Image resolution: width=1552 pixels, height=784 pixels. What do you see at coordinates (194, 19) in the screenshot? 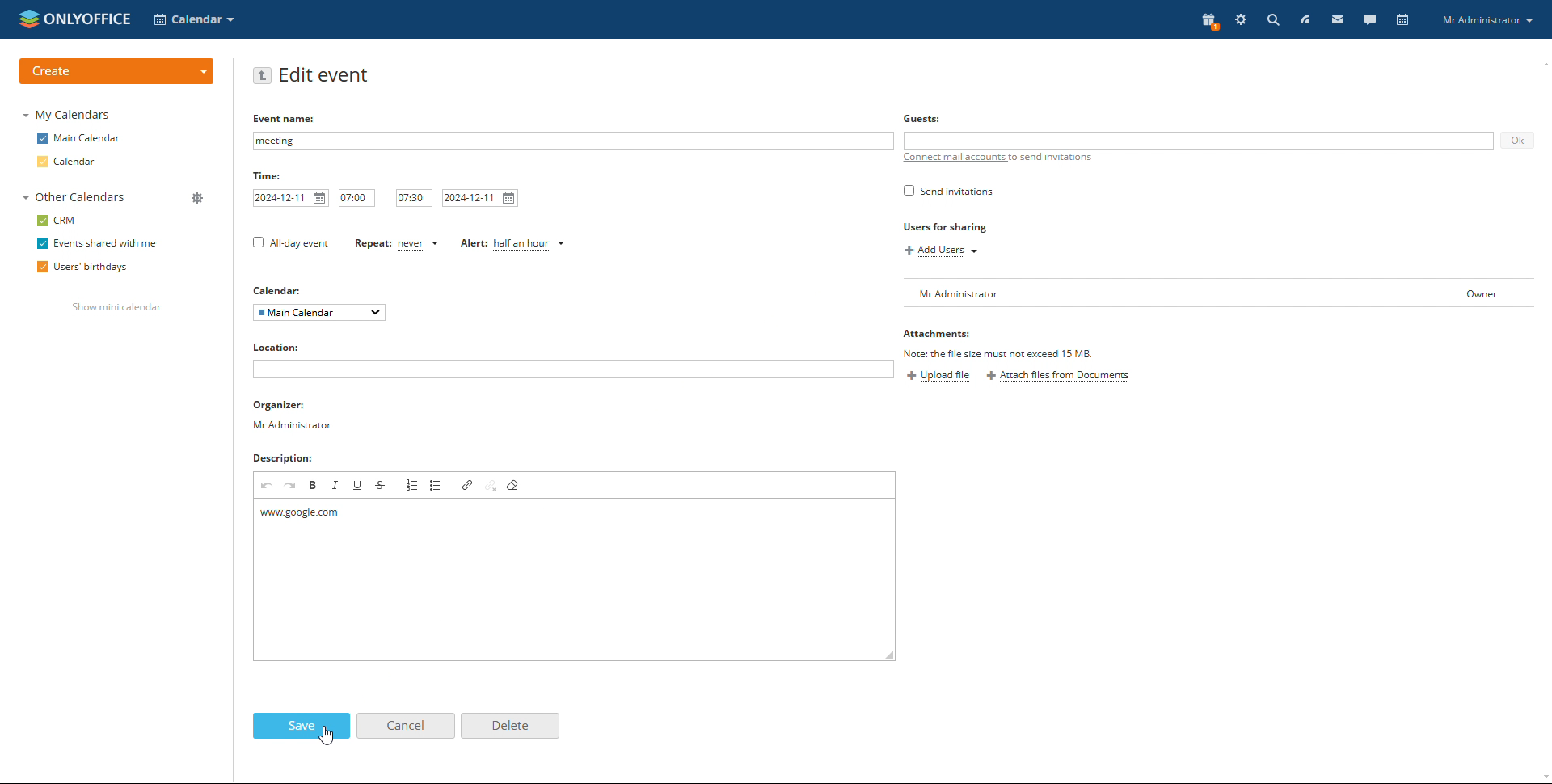
I see `selct calendar` at bounding box center [194, 19].